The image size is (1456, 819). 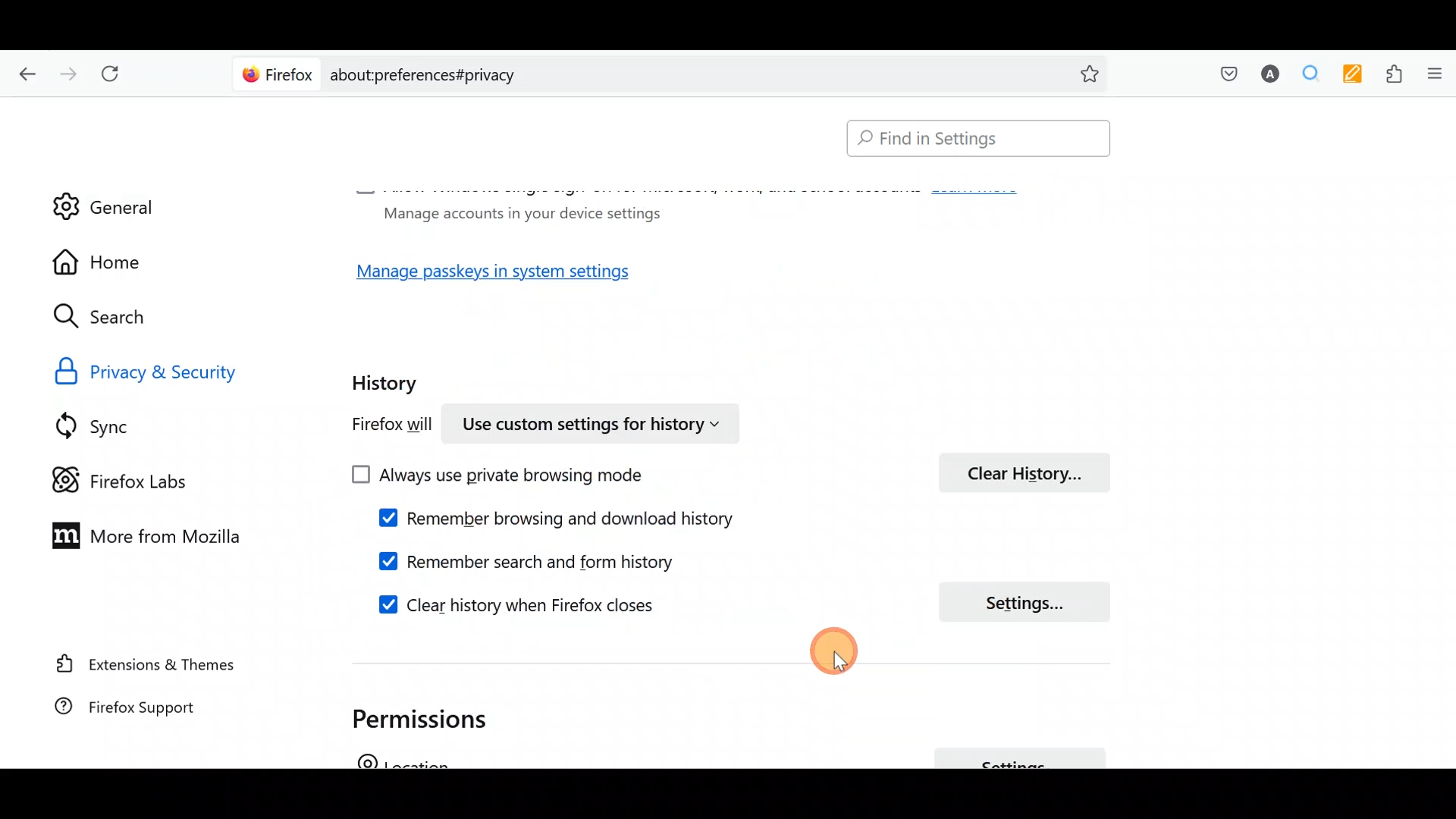 What do you see at coordinates (115, 74) in the screenshot?
I see `Reload current page` at bounding box center [115, 74].